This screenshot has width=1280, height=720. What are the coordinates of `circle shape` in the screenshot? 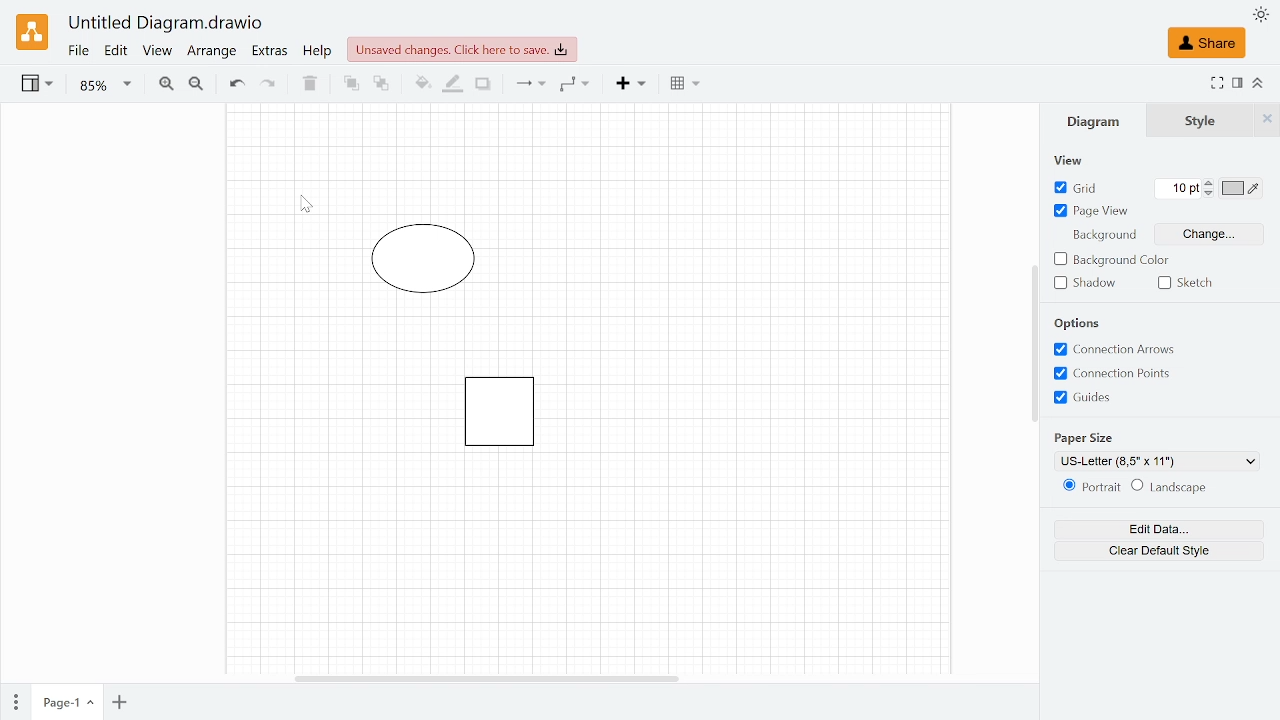 It's located at (426, 262).